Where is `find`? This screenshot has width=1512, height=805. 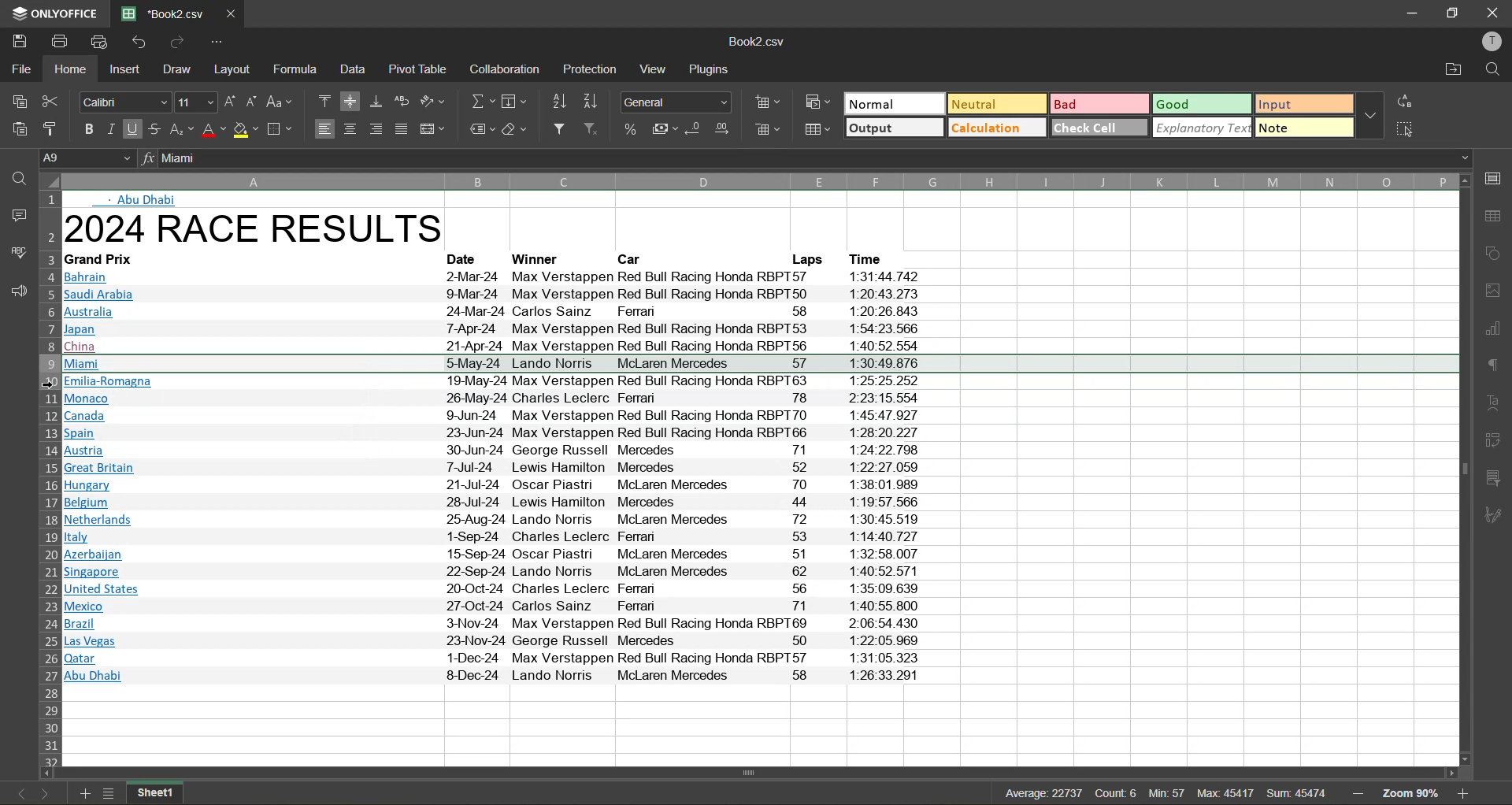
find is located at coordinates (1492, 72).